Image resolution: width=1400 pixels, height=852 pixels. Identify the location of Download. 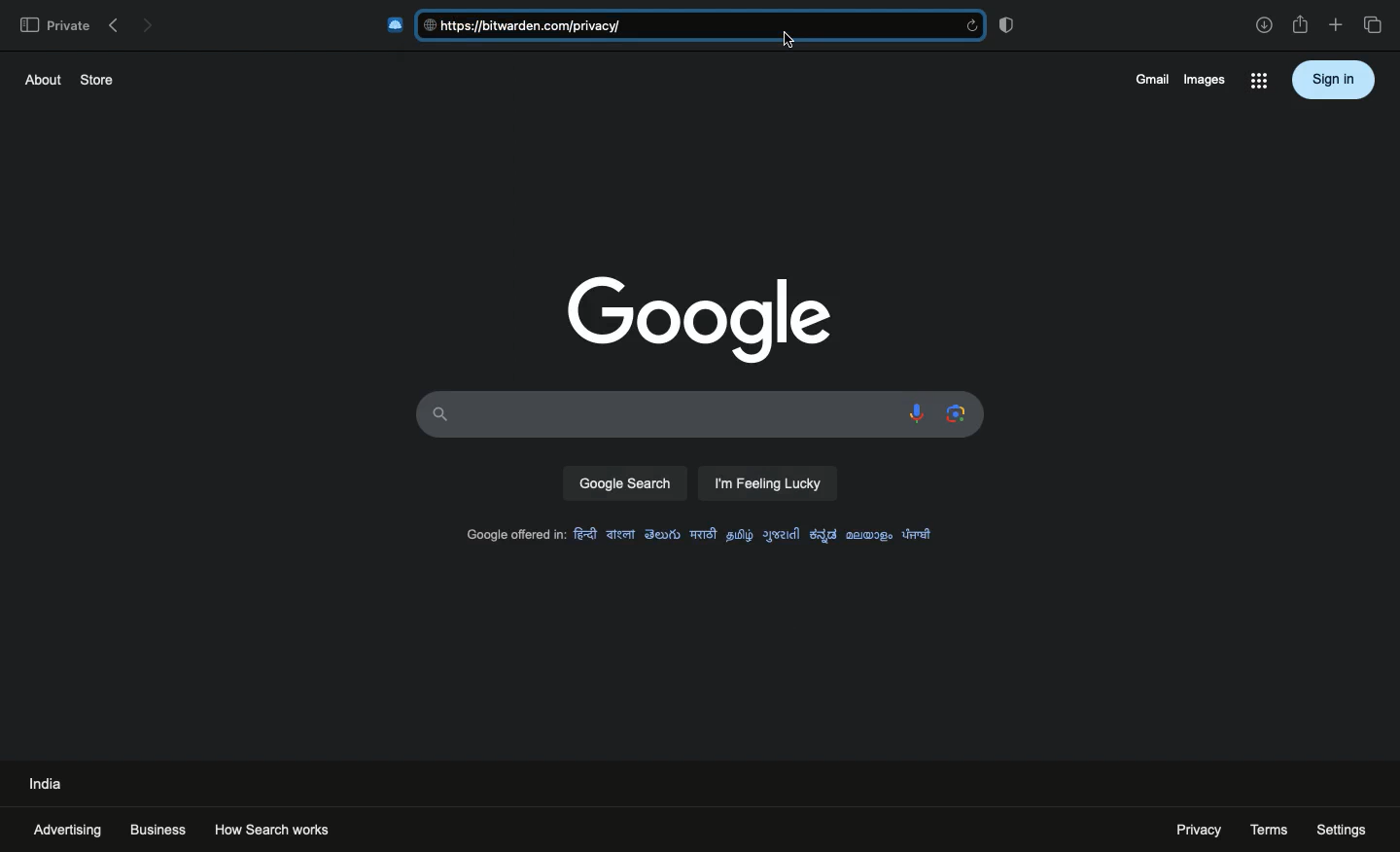
(1264, 25).